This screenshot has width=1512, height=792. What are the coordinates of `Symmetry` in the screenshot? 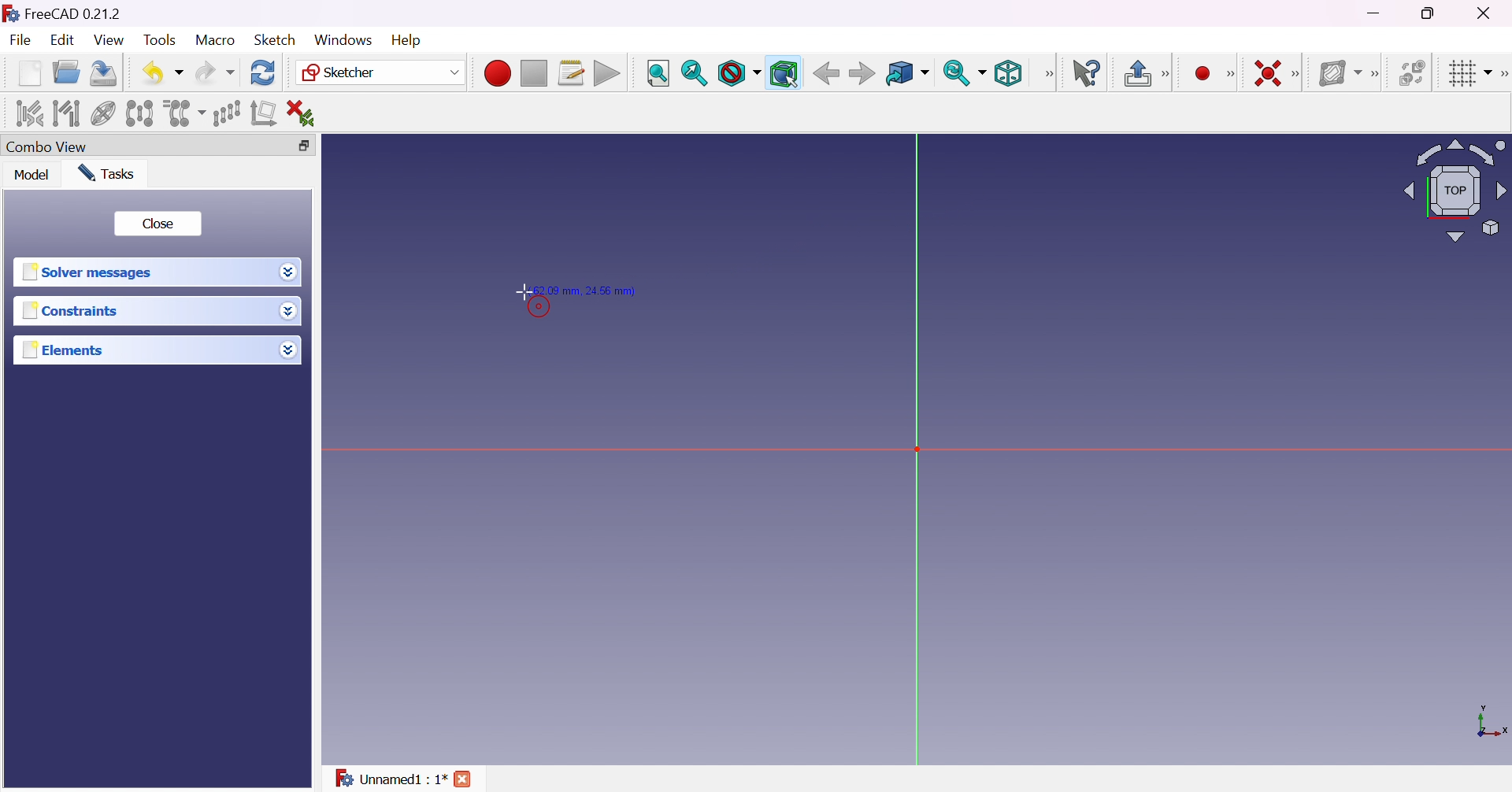 It's located at (140, 113).